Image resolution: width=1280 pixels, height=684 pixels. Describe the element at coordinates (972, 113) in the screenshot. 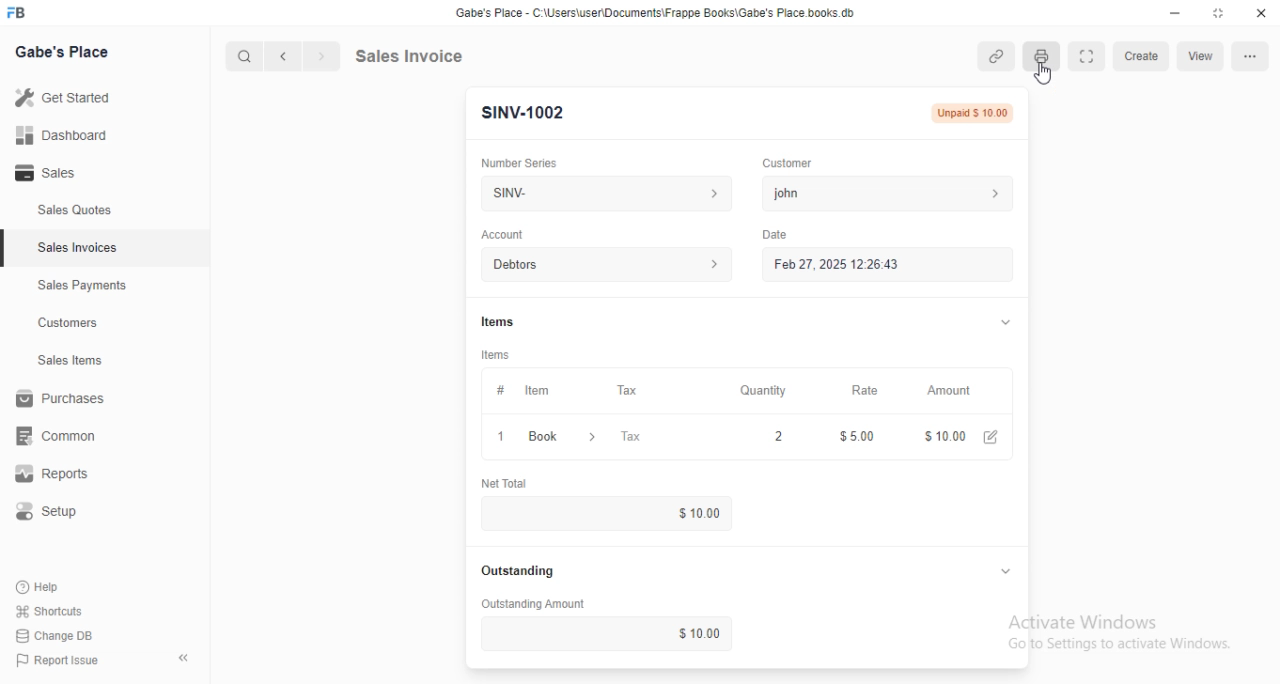

I see `unpaid $10.00` at that location.